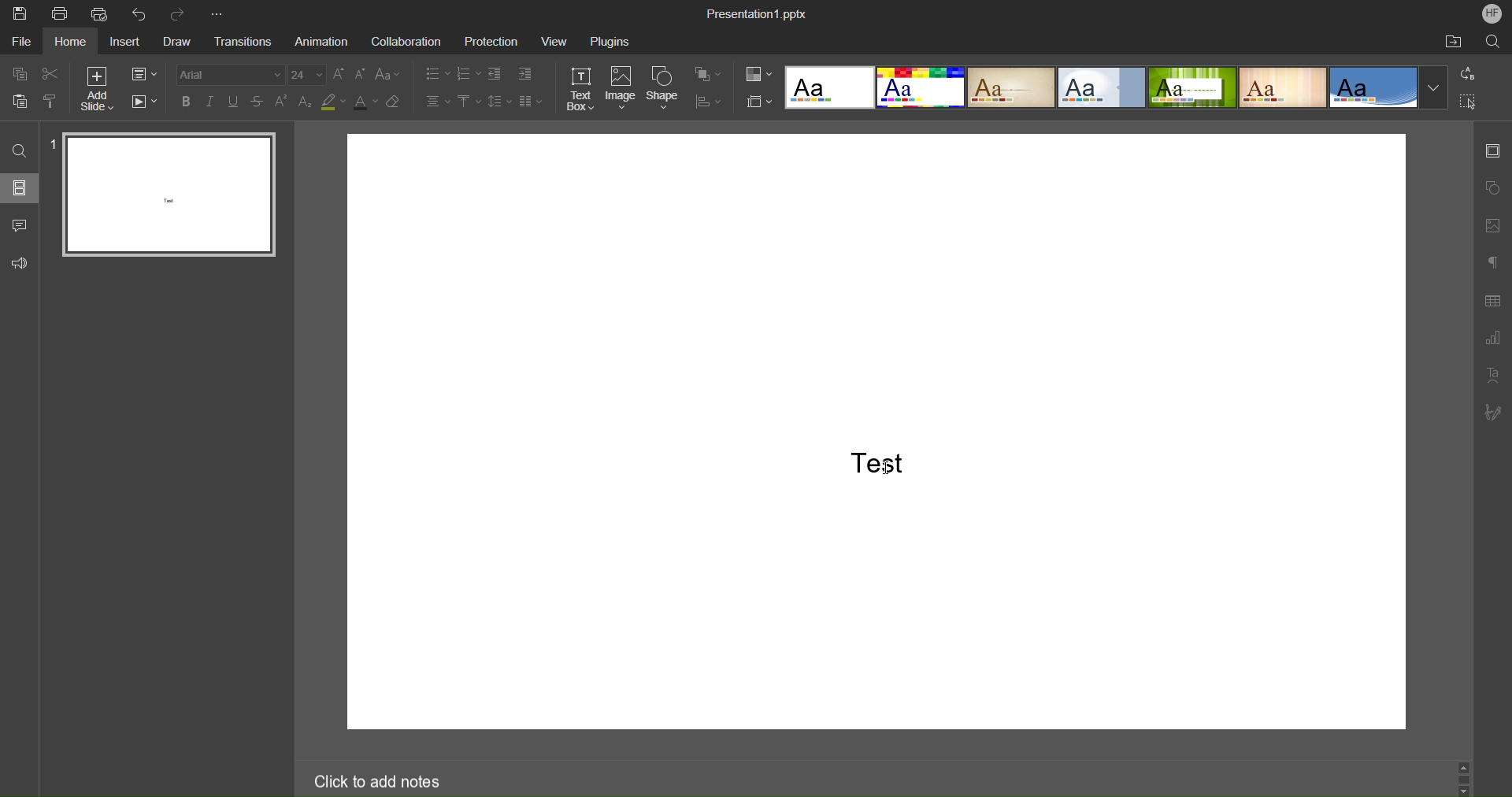 The height and width of the screenshot is (797, 1512). What do you see at coordinates (61, 13) in the screenshot?
I see `Print` at bounding box center [61, 13].